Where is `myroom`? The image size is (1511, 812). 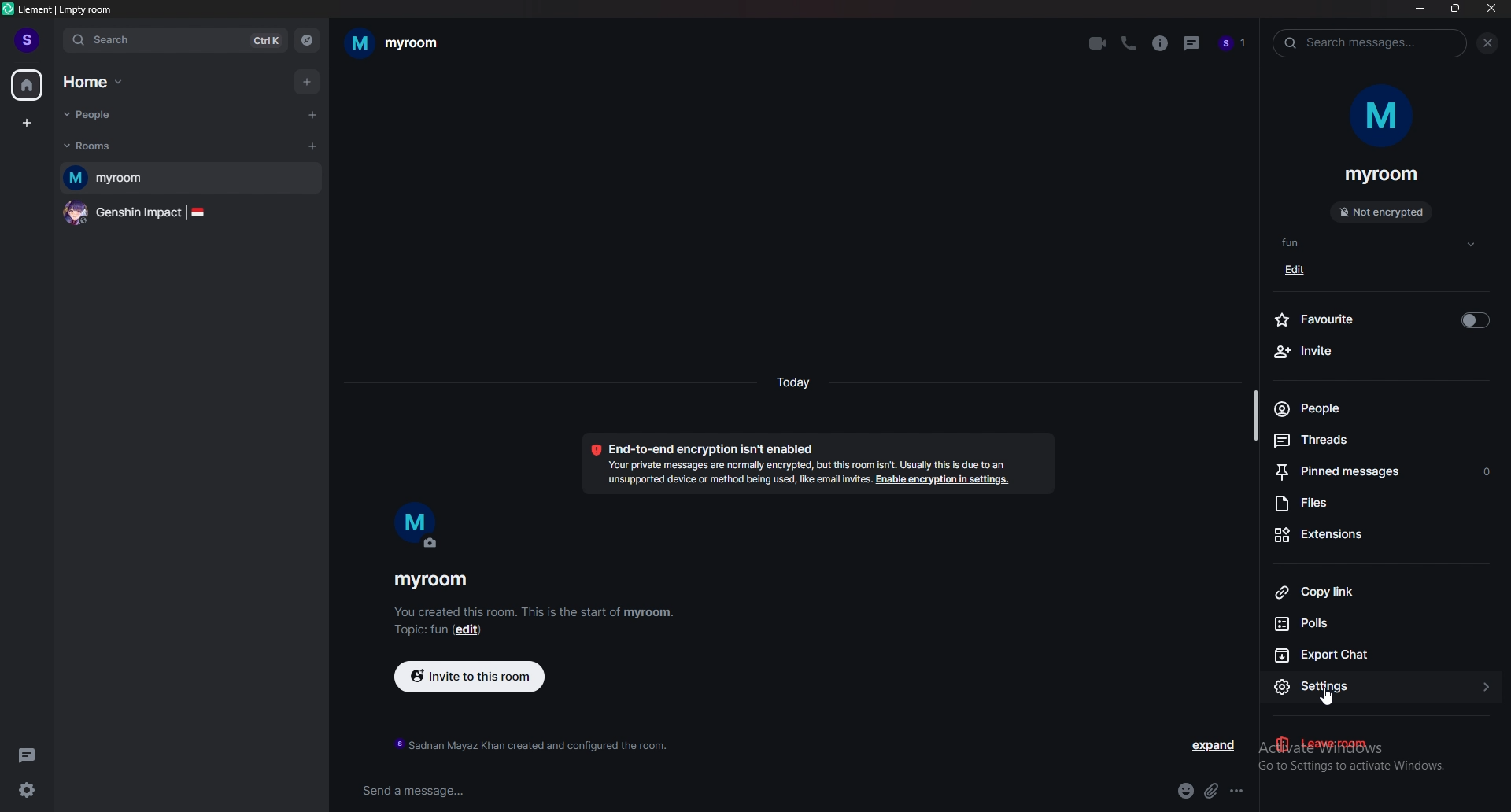 myroom is located at coordinates (192, 179).